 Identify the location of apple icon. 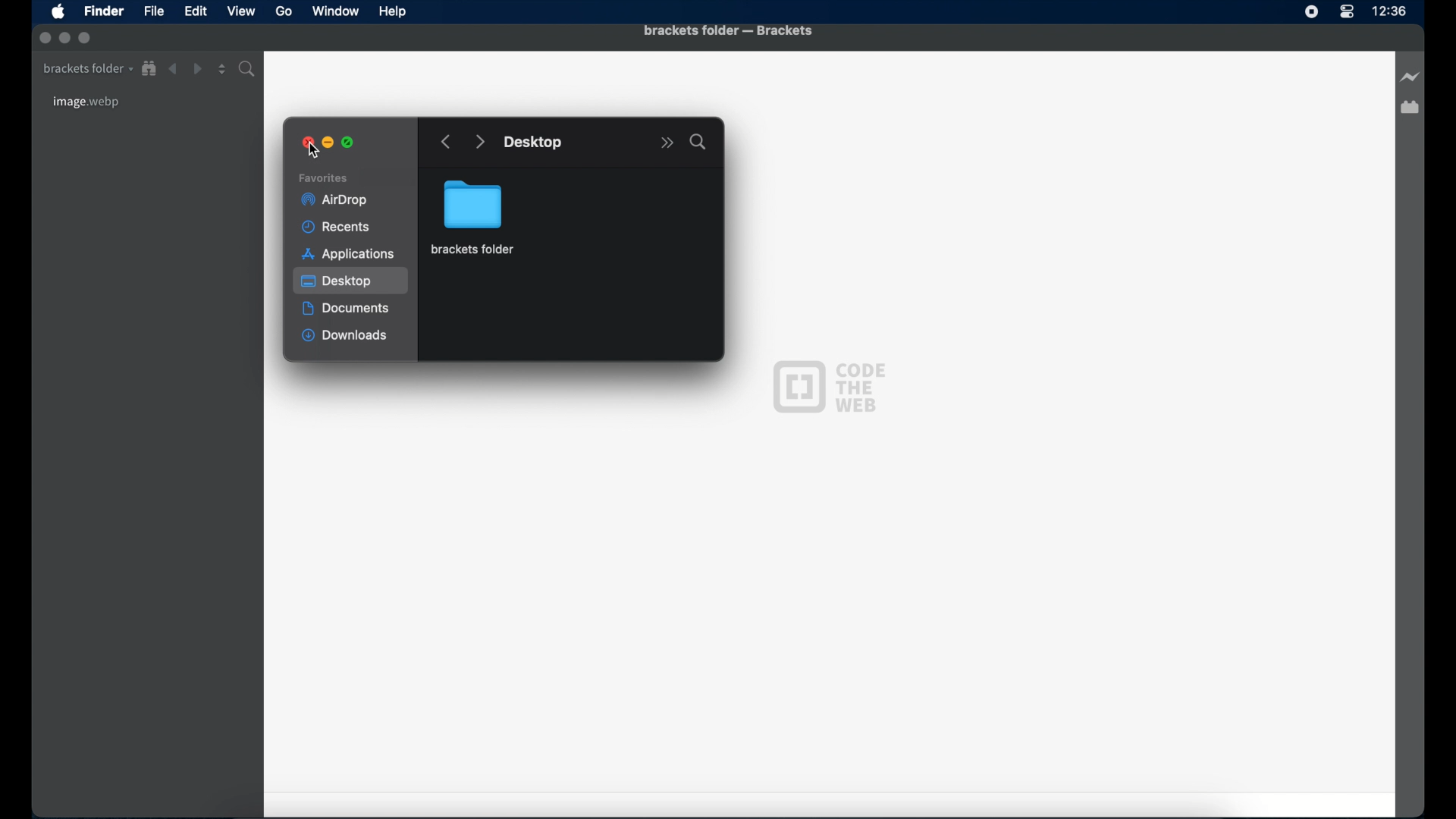
(58, 13).